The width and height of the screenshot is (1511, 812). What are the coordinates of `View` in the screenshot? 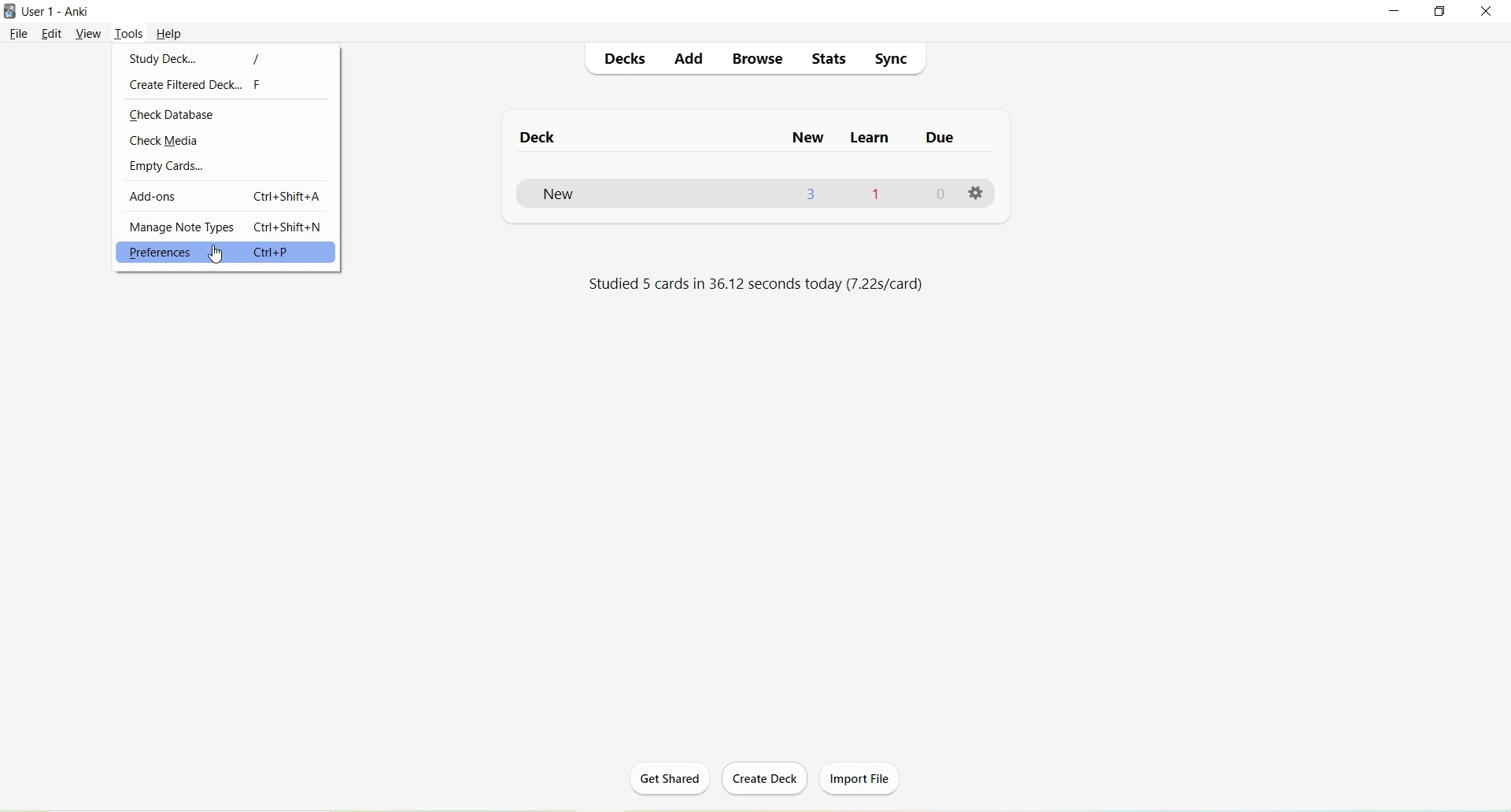 It's located at (89, 33).